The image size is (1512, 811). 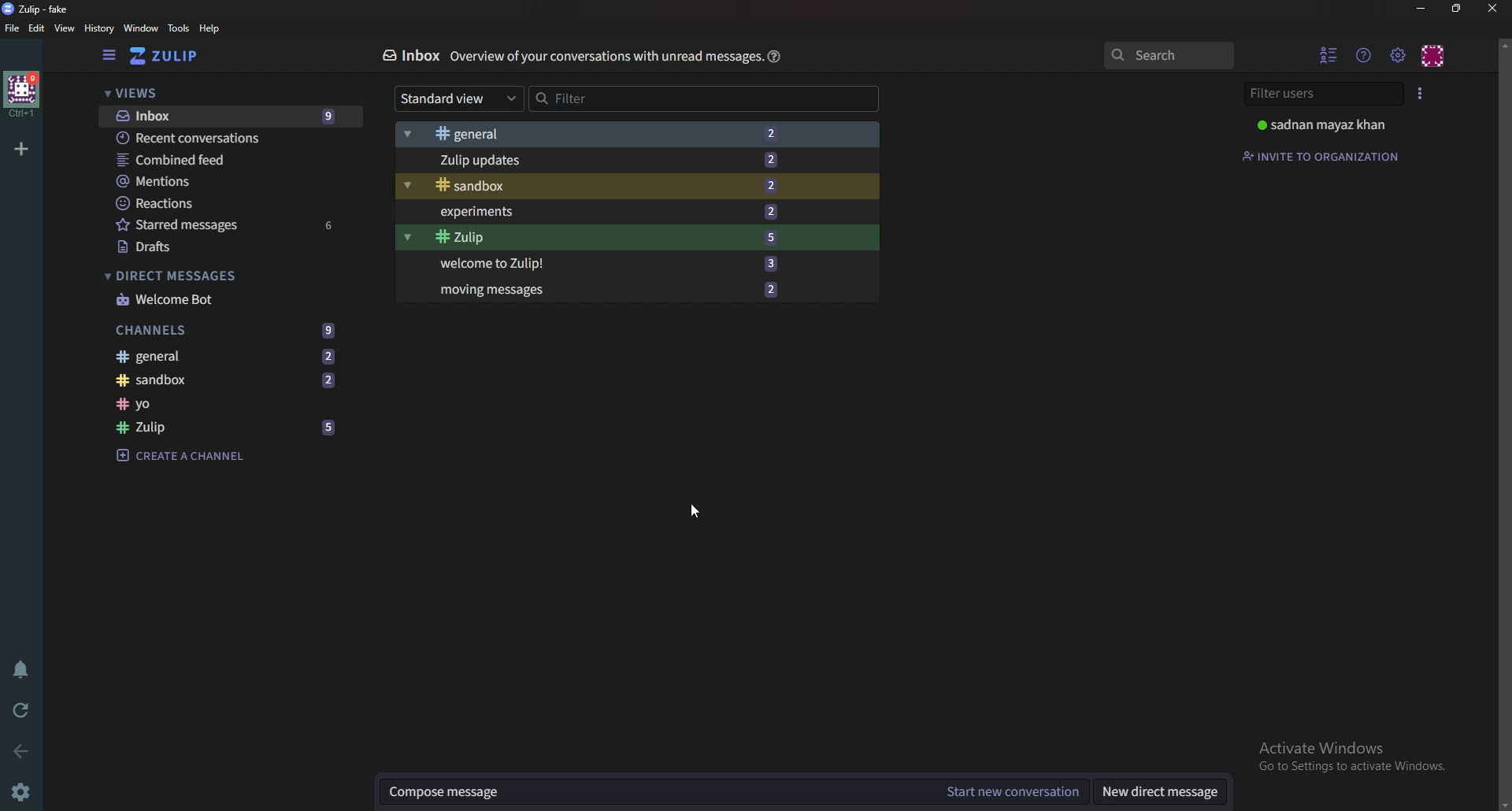 I want to click on Cursor, so click(x=695, y=513).